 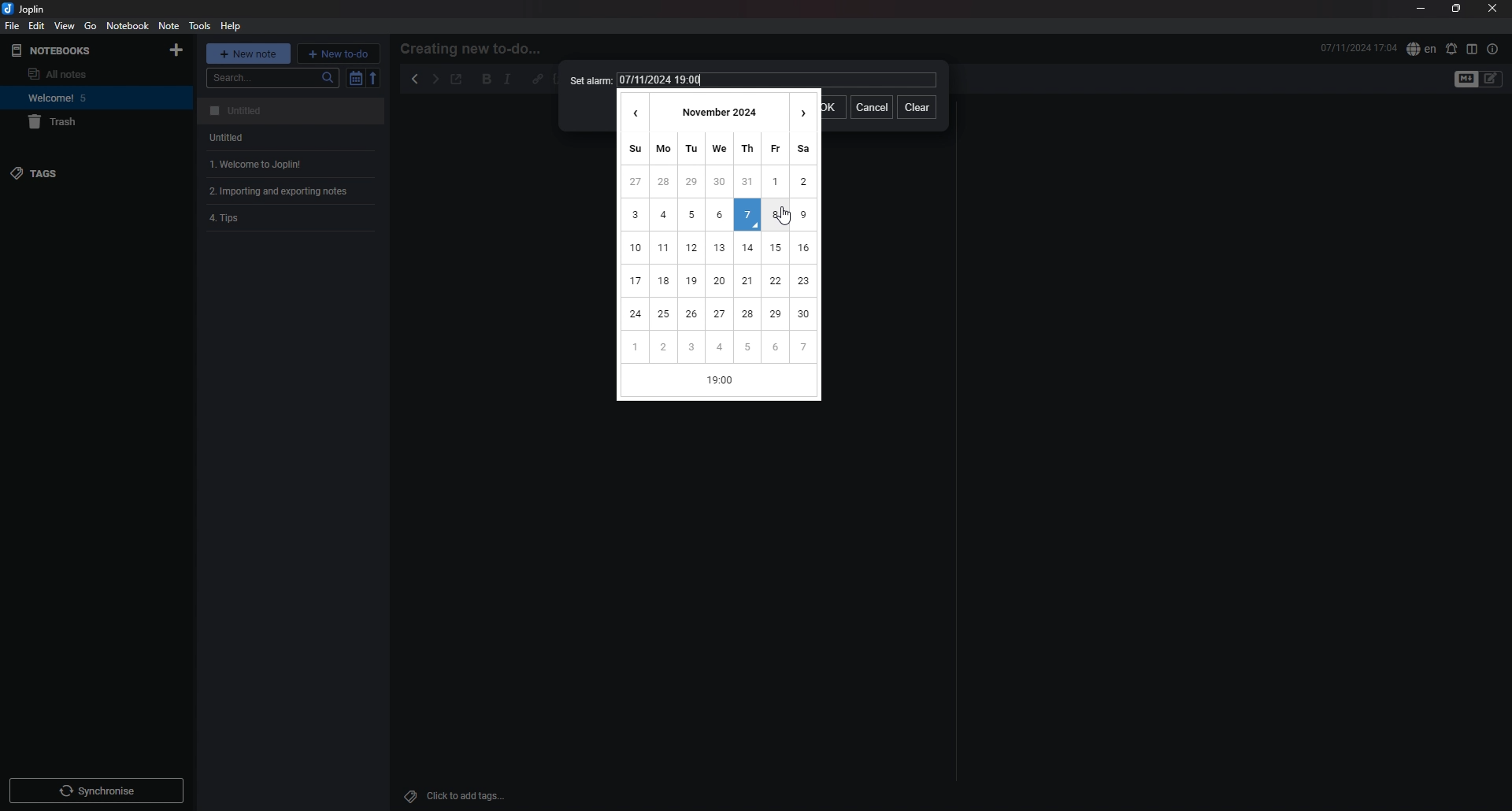 What do you see at coordinates (1492, 9) in the screenshot?
I see `close` at bounding box center [1492, 9].